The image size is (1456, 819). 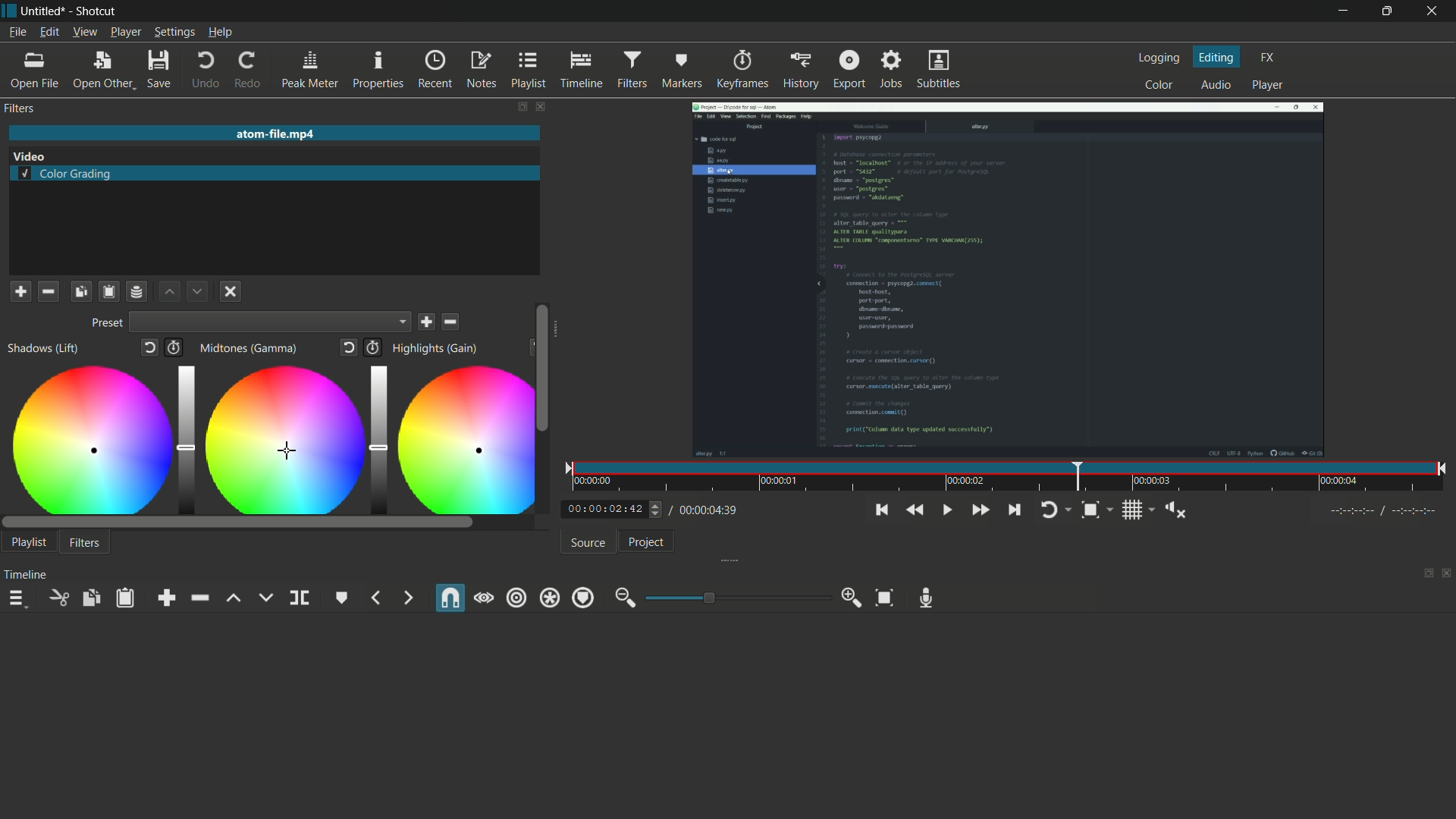 I want to click on Video, so click(x=36, y=155).